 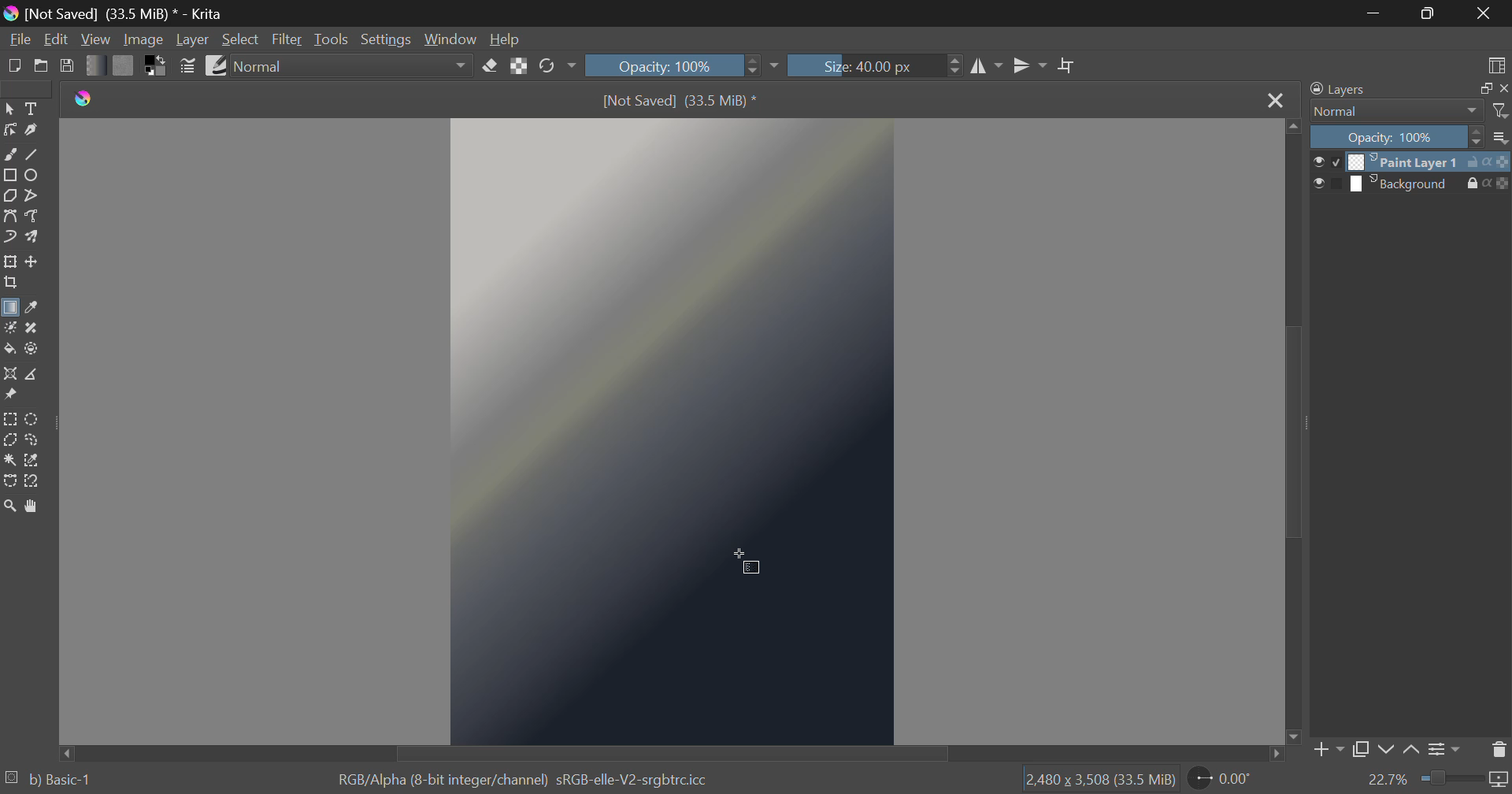 I want to click on Close, so click(x=1274, y=100).